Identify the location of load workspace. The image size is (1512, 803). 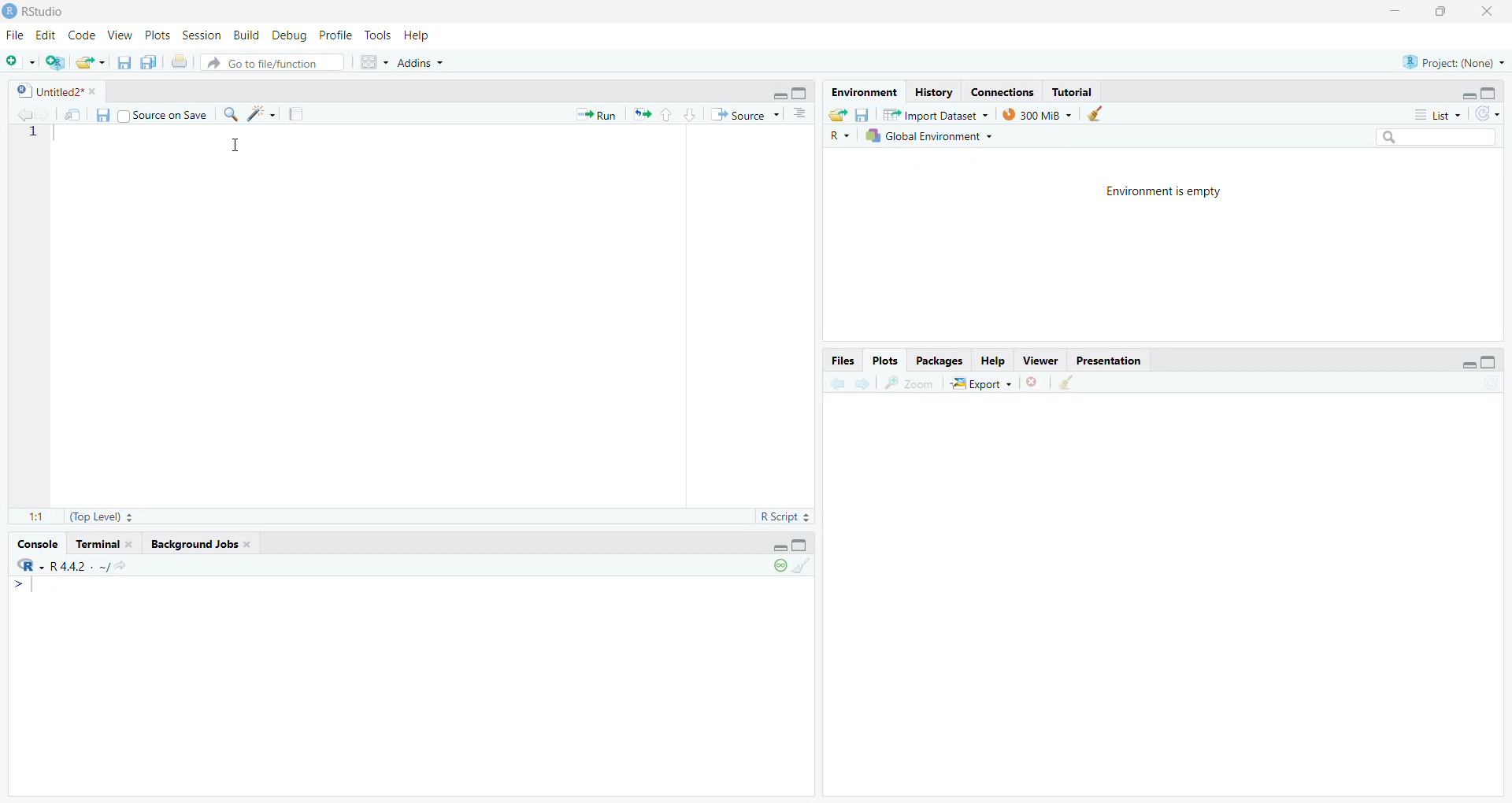
(839, 115).